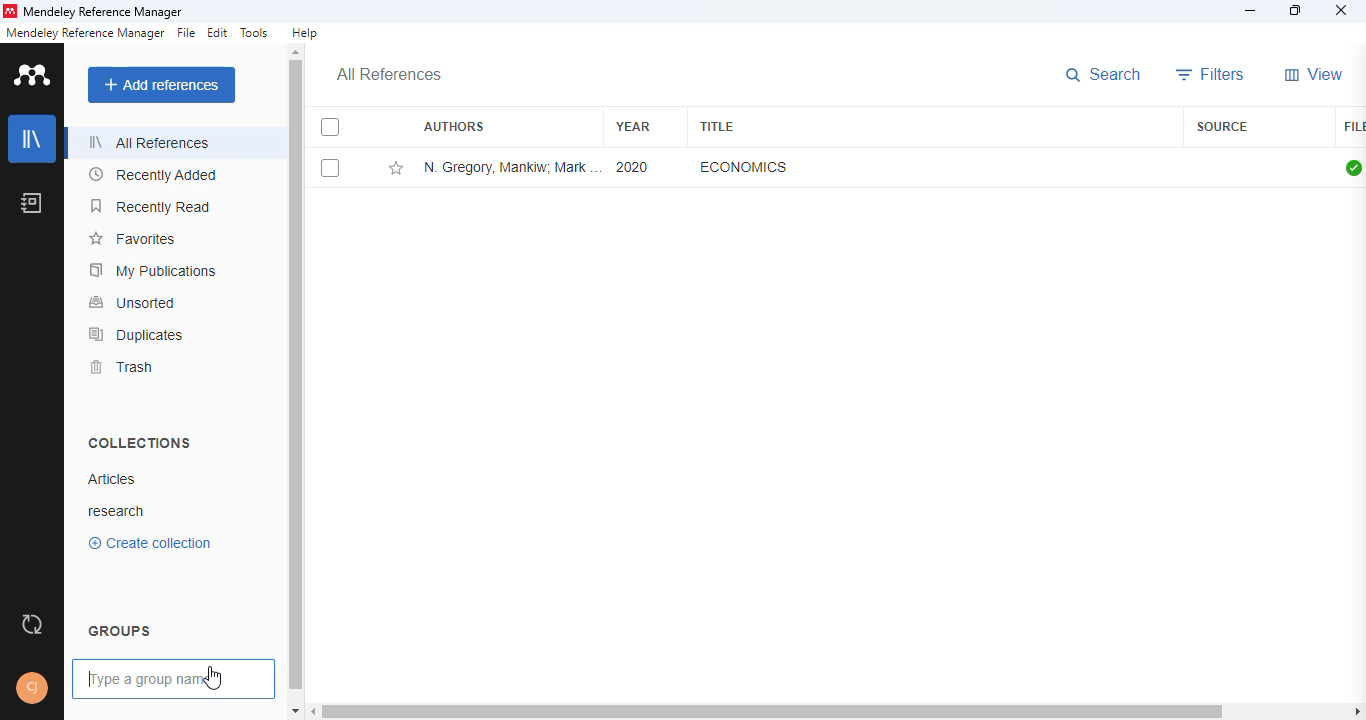 Image resolution: width=1366 pixels, height=720 pixels. I want to click on favorites, so click(134, 239).